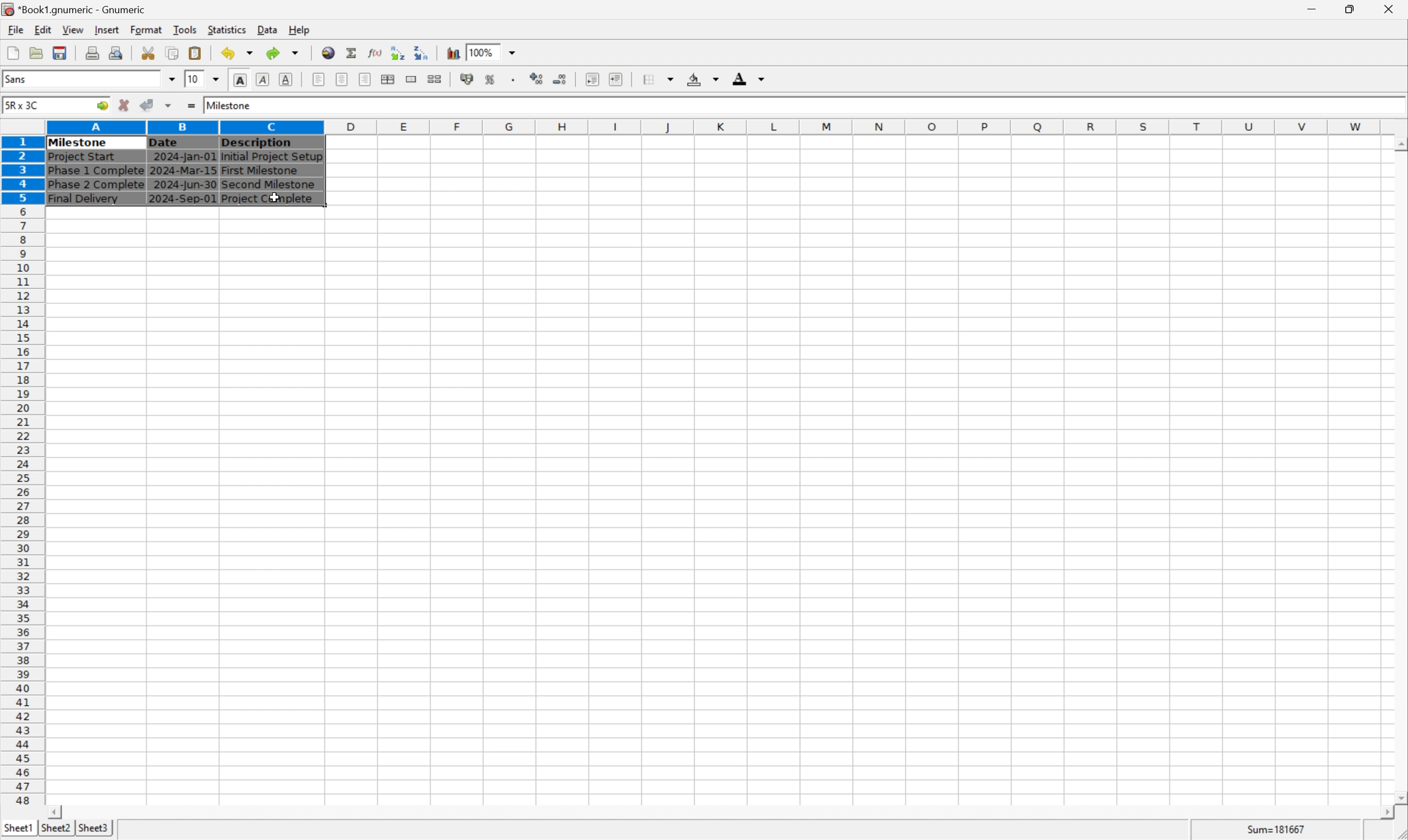  What do you see at coordinates (374, 52) in the screenshot?
I see `edit function in current cell` at bounding box center [374, 52].